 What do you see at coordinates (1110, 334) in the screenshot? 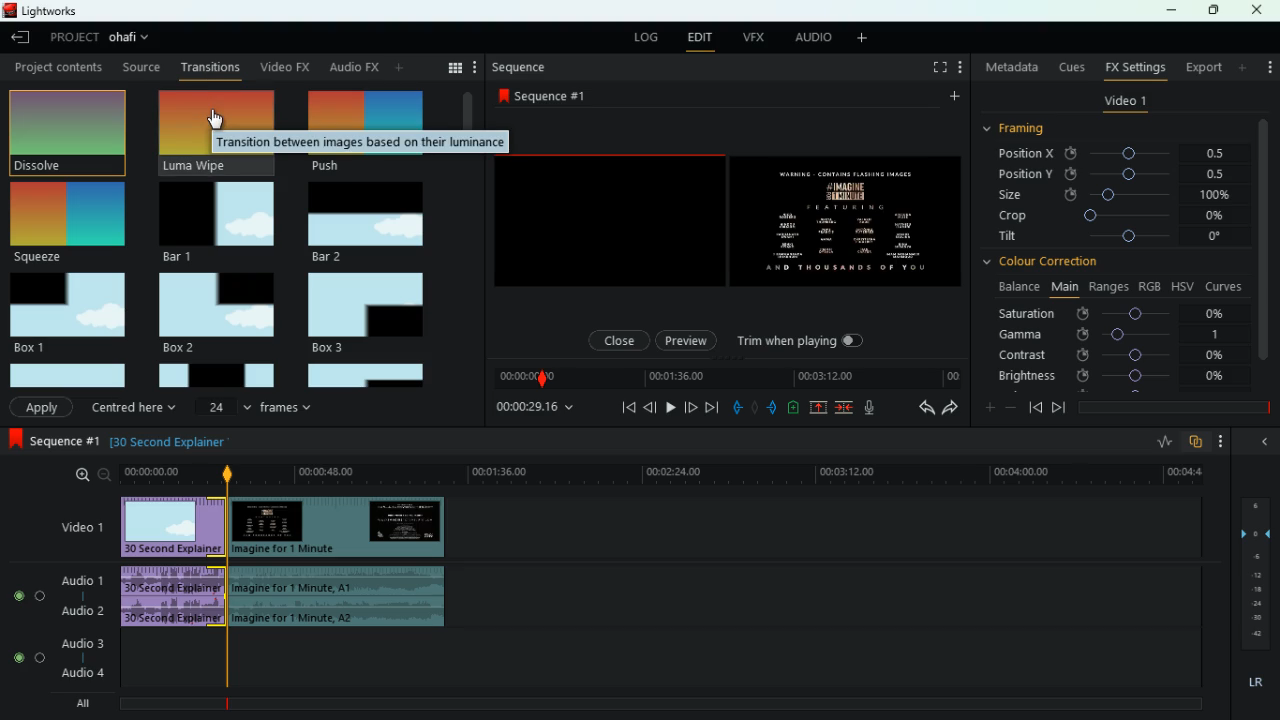
I see `gamma` at bounding box center [1110, 334].